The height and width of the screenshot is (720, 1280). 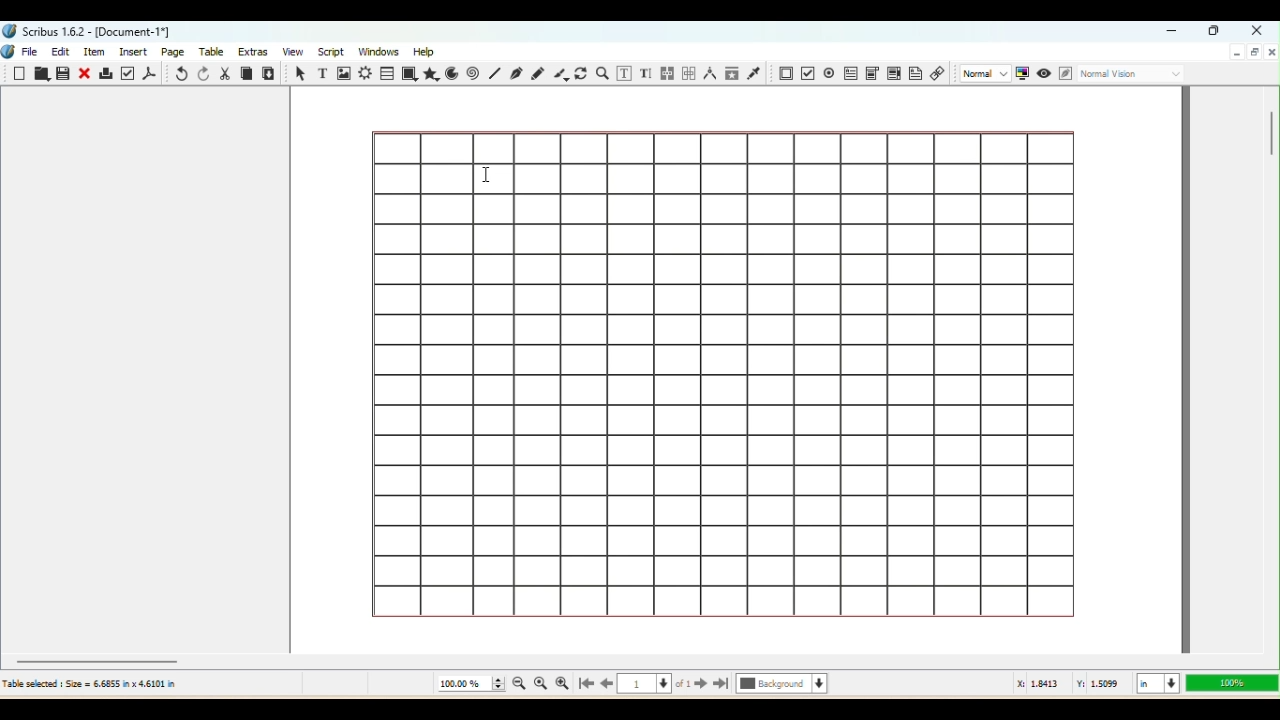 I want to click on PDF combo box, so click(x=871, y=71).